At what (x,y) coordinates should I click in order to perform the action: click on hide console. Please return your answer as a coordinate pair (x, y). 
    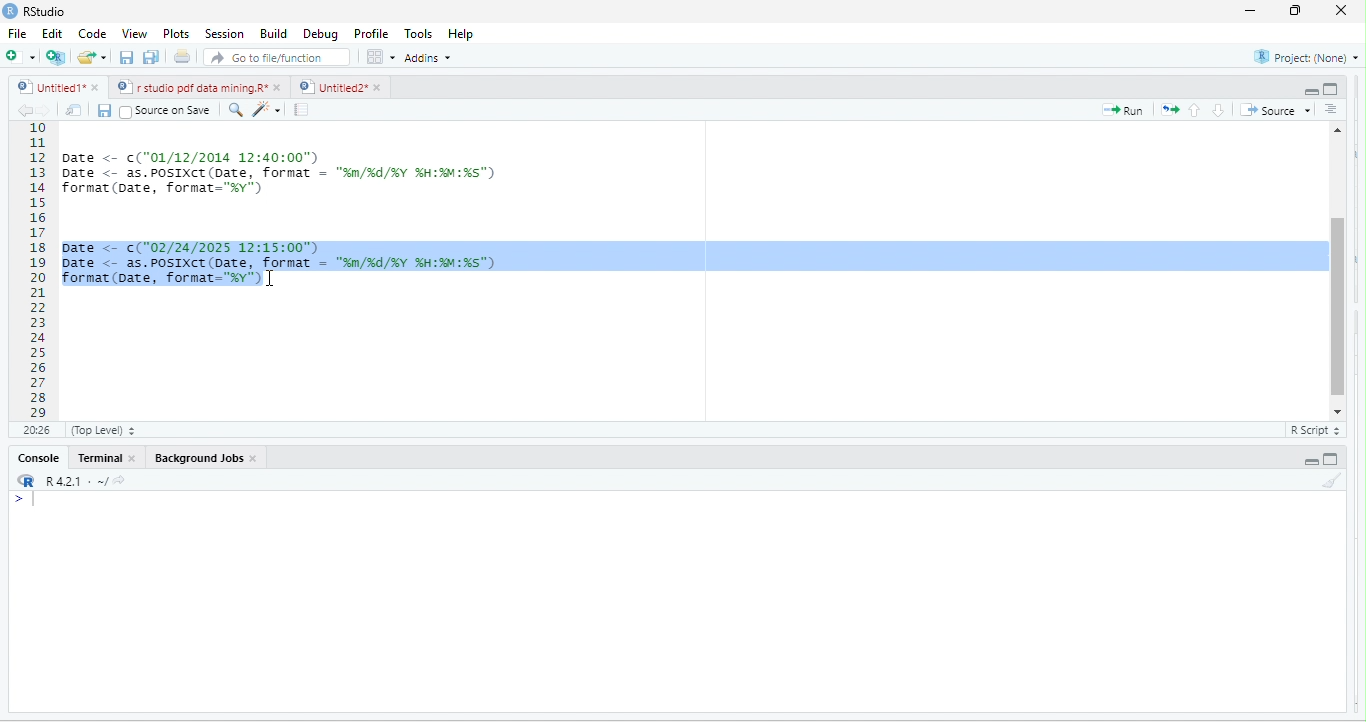
    Looking at the image, I should click on (1334, 89).